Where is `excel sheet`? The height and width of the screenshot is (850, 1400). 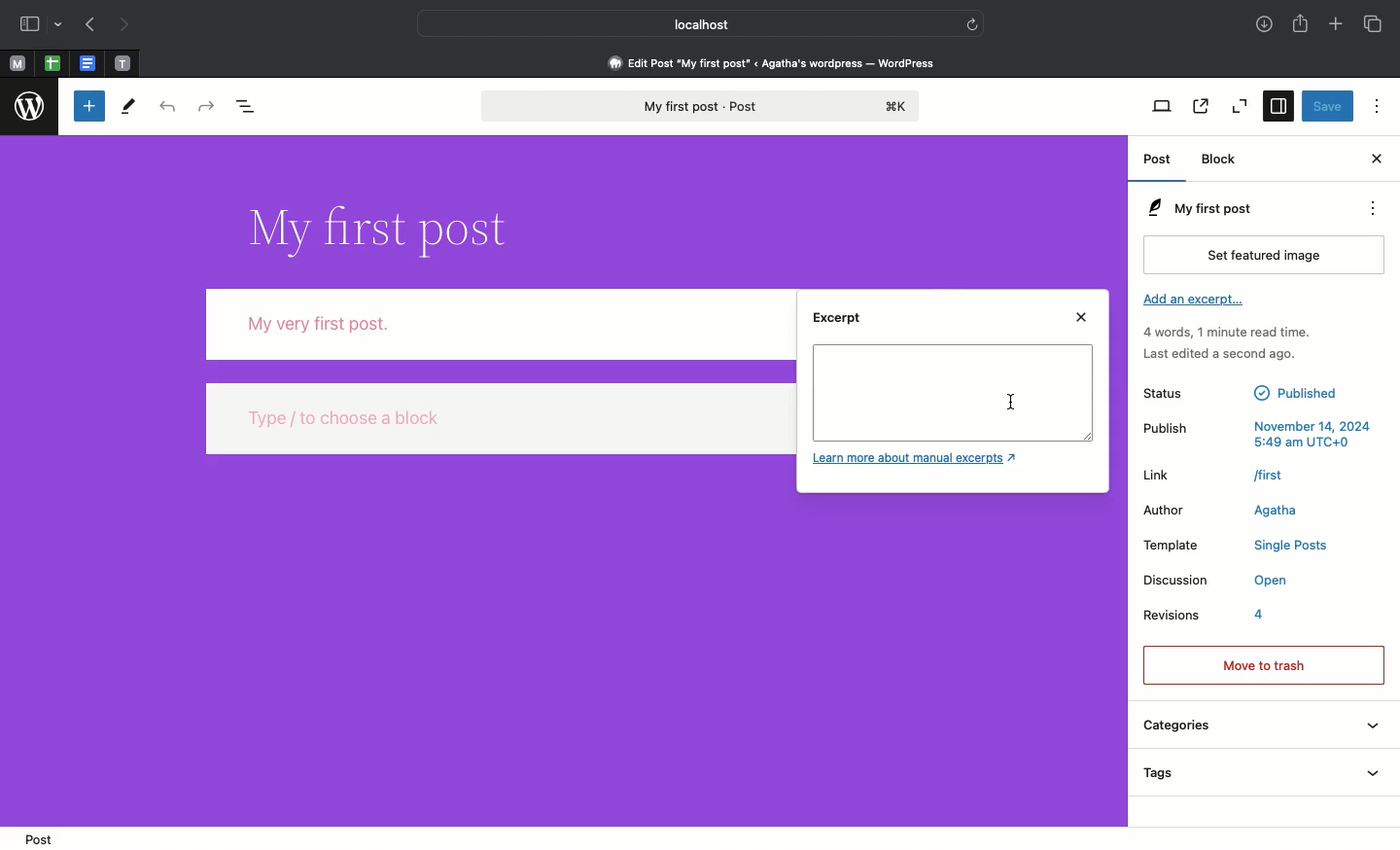 excel sheet is located at coordinates (51, 62).